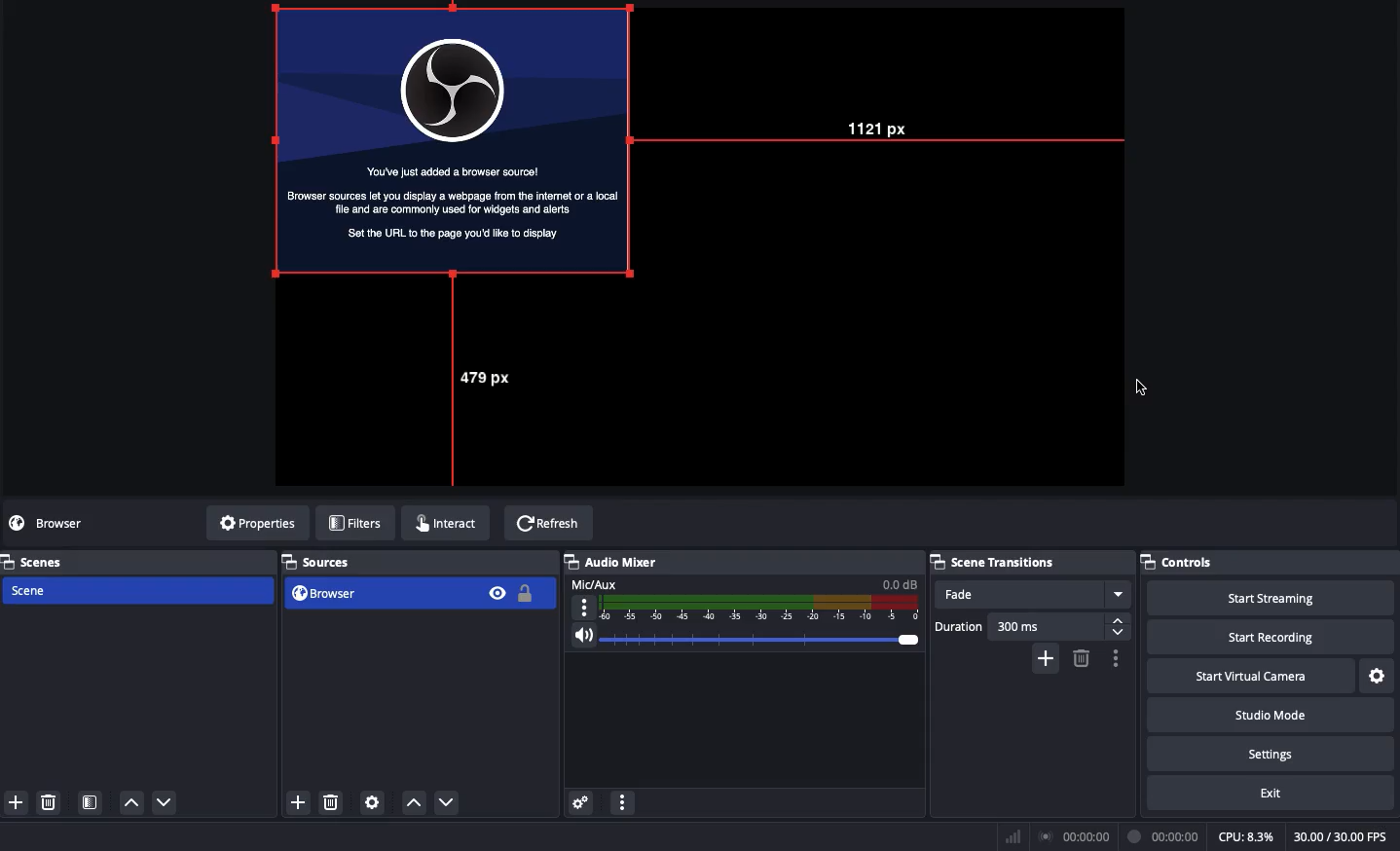 This screenshot has width=1400, height=851. What do you see at coordinates (615, 562) in the screenshot?
I see `Audio mixer` at bounding box center [615, 562].